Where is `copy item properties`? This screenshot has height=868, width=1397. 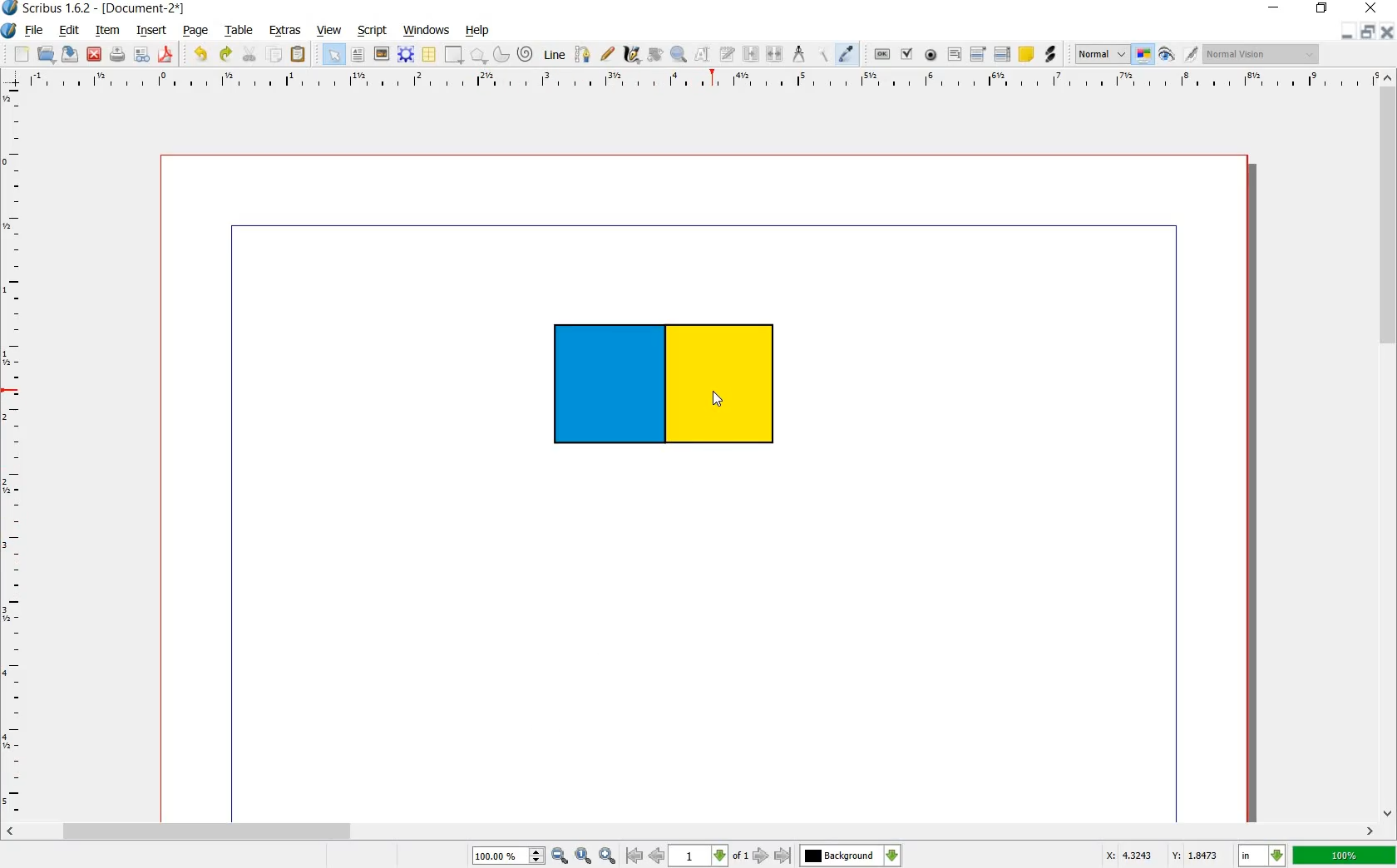 copy item properties is located at coordinates (821, 55).